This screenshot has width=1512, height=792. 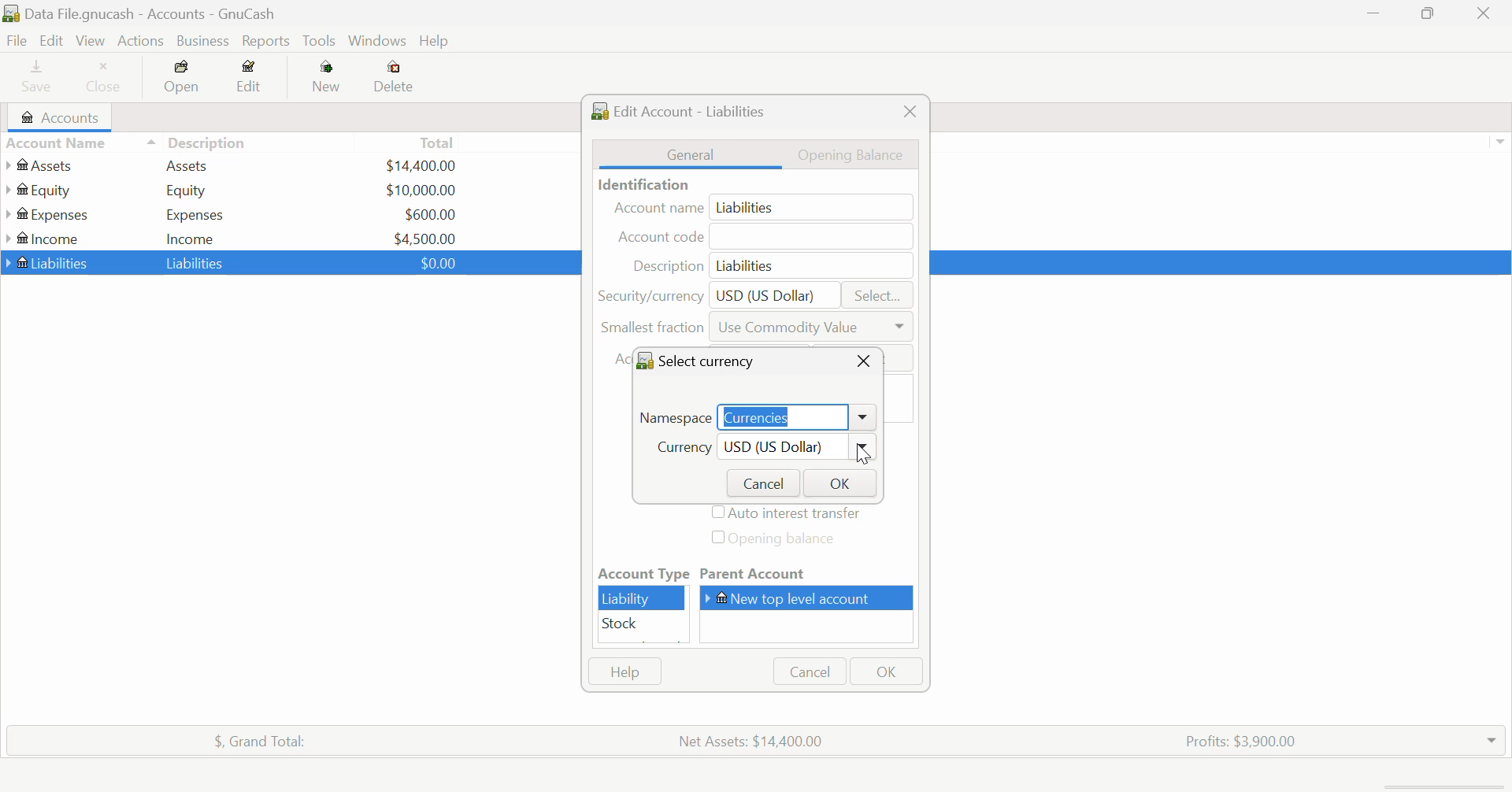 I want to click on Auto interest transfer, so click(x=789, y=514).